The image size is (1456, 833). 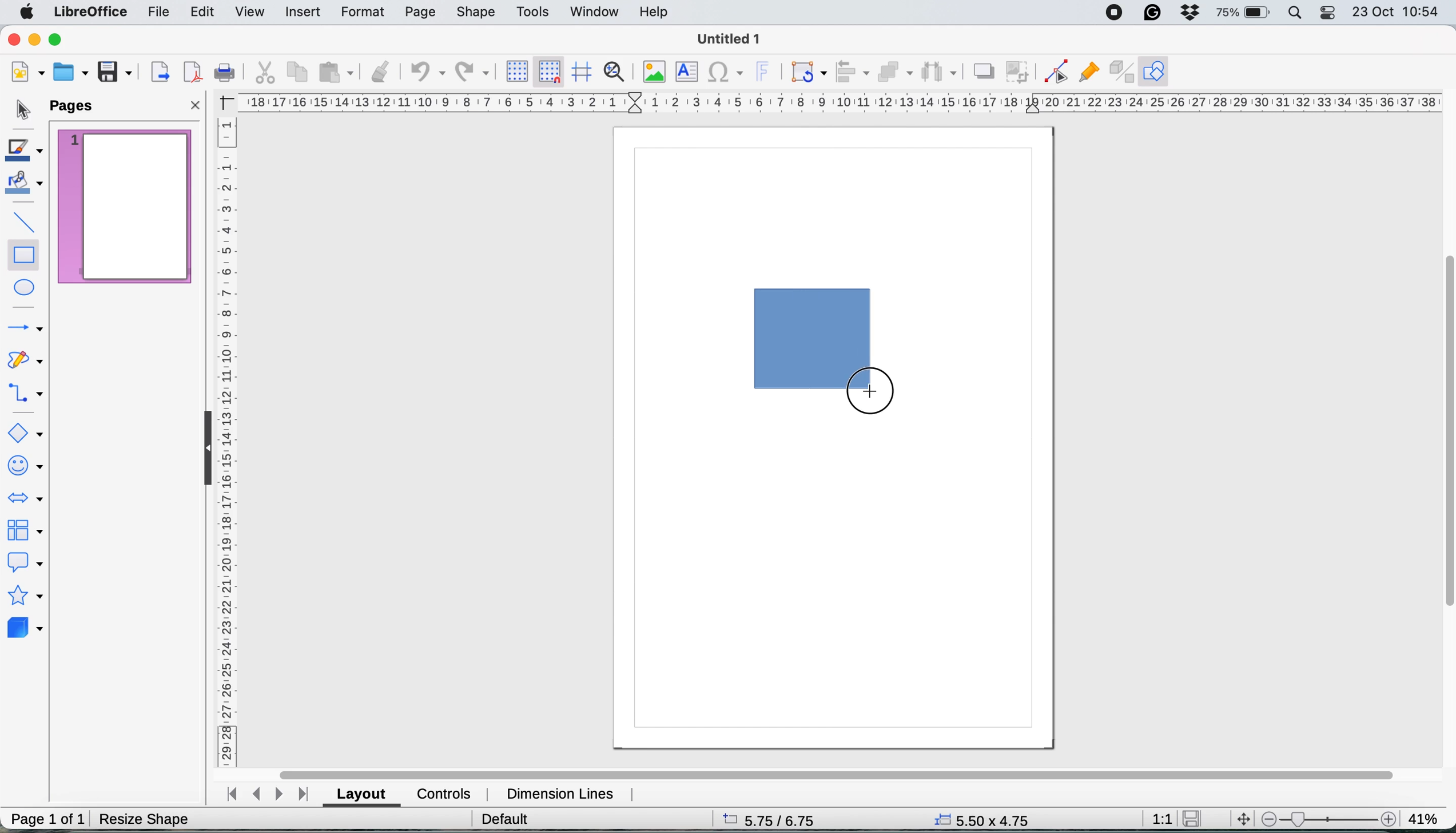 What do you see at coordinates (767, 70) in the screenshot?
I see `insert fontwork text` at bounding box center [767, 70].